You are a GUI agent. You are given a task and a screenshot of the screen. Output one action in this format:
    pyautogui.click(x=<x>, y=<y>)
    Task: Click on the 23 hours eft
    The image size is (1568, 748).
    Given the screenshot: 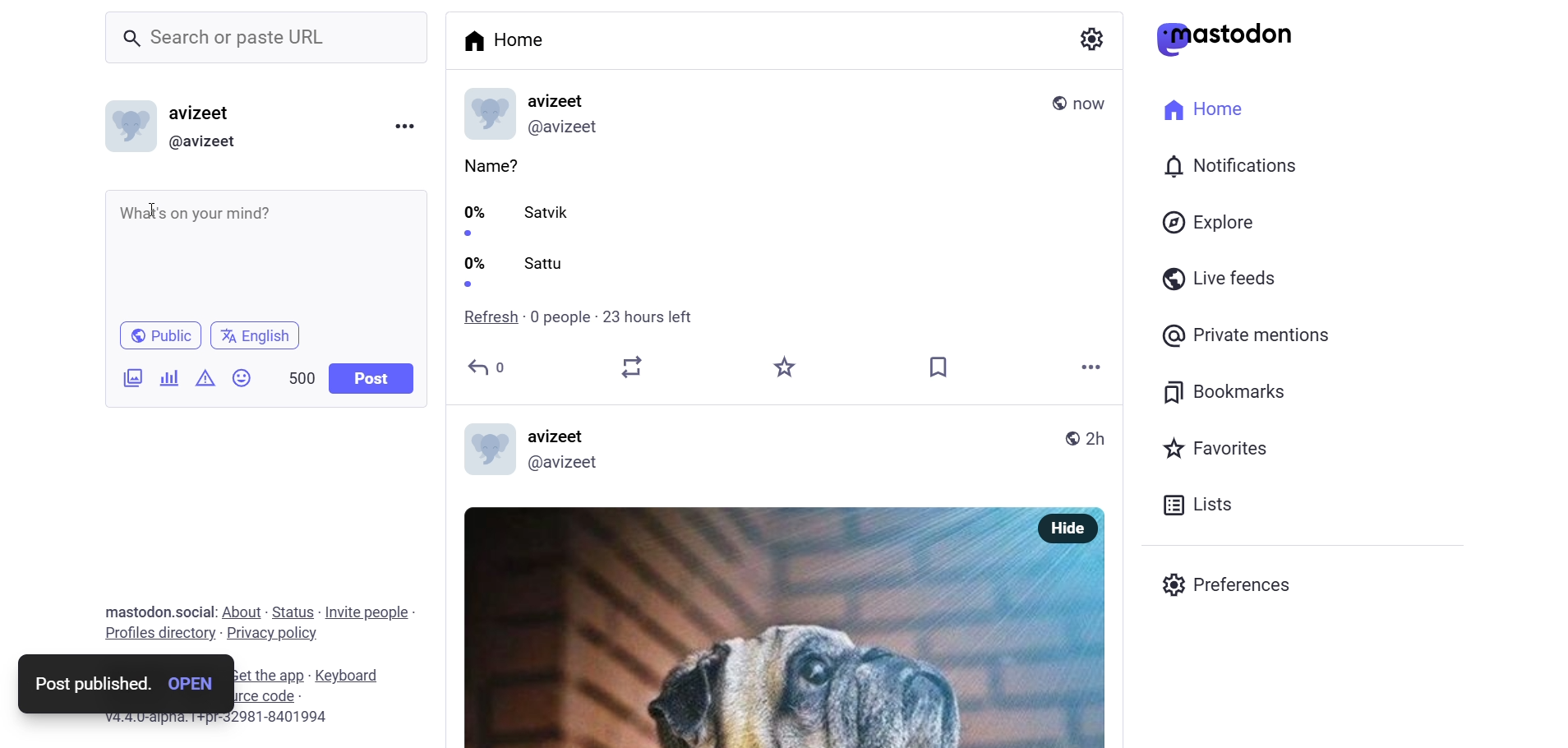 What is the action you would take?
    pyautogui.click(x=650, y=316)
    